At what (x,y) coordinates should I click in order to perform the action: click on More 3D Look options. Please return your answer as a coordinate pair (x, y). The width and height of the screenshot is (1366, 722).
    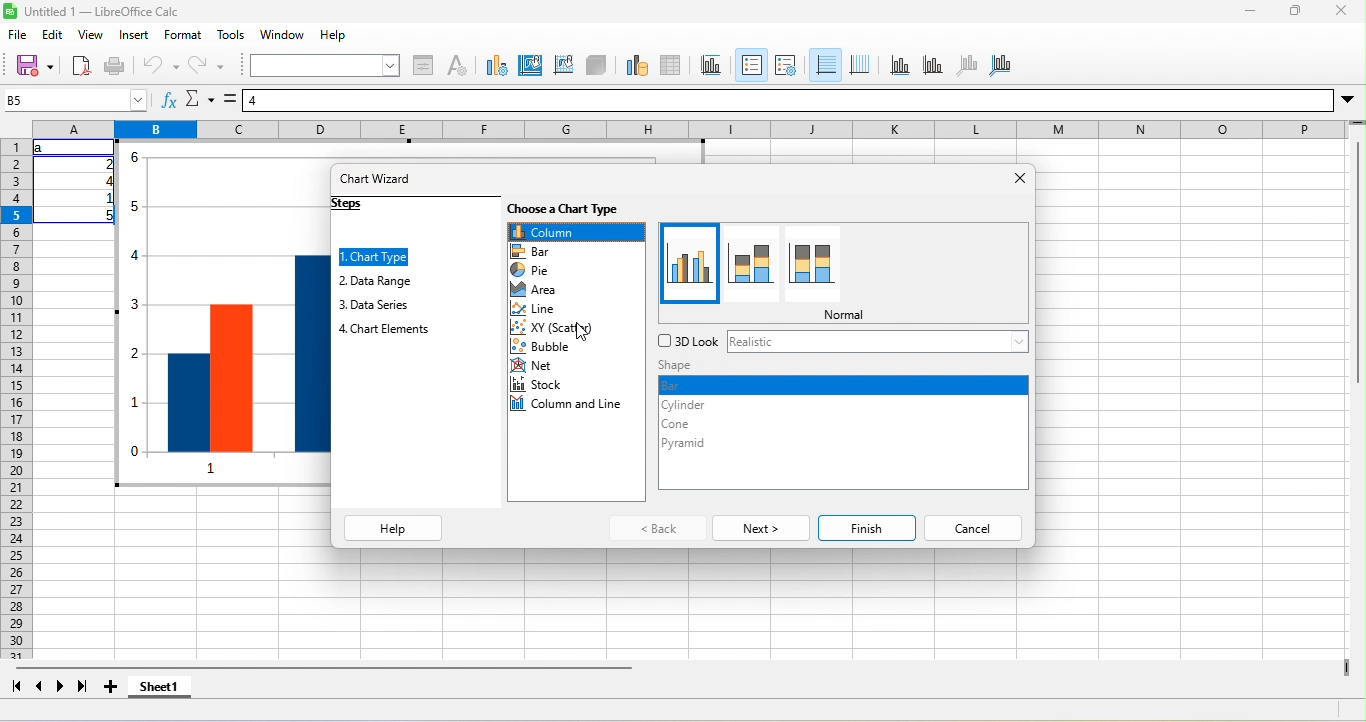
    Looking at the image, I should click on (1020, 342).